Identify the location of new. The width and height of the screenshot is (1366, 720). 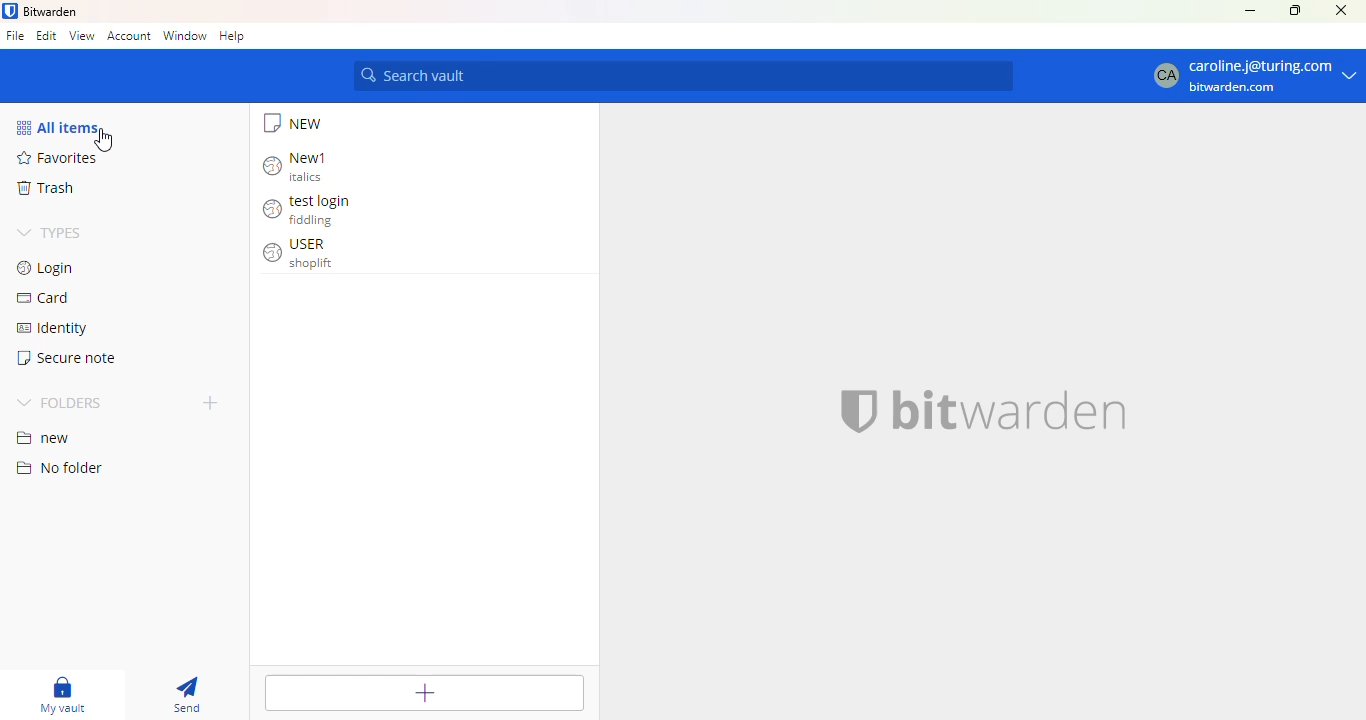
(44, 438).